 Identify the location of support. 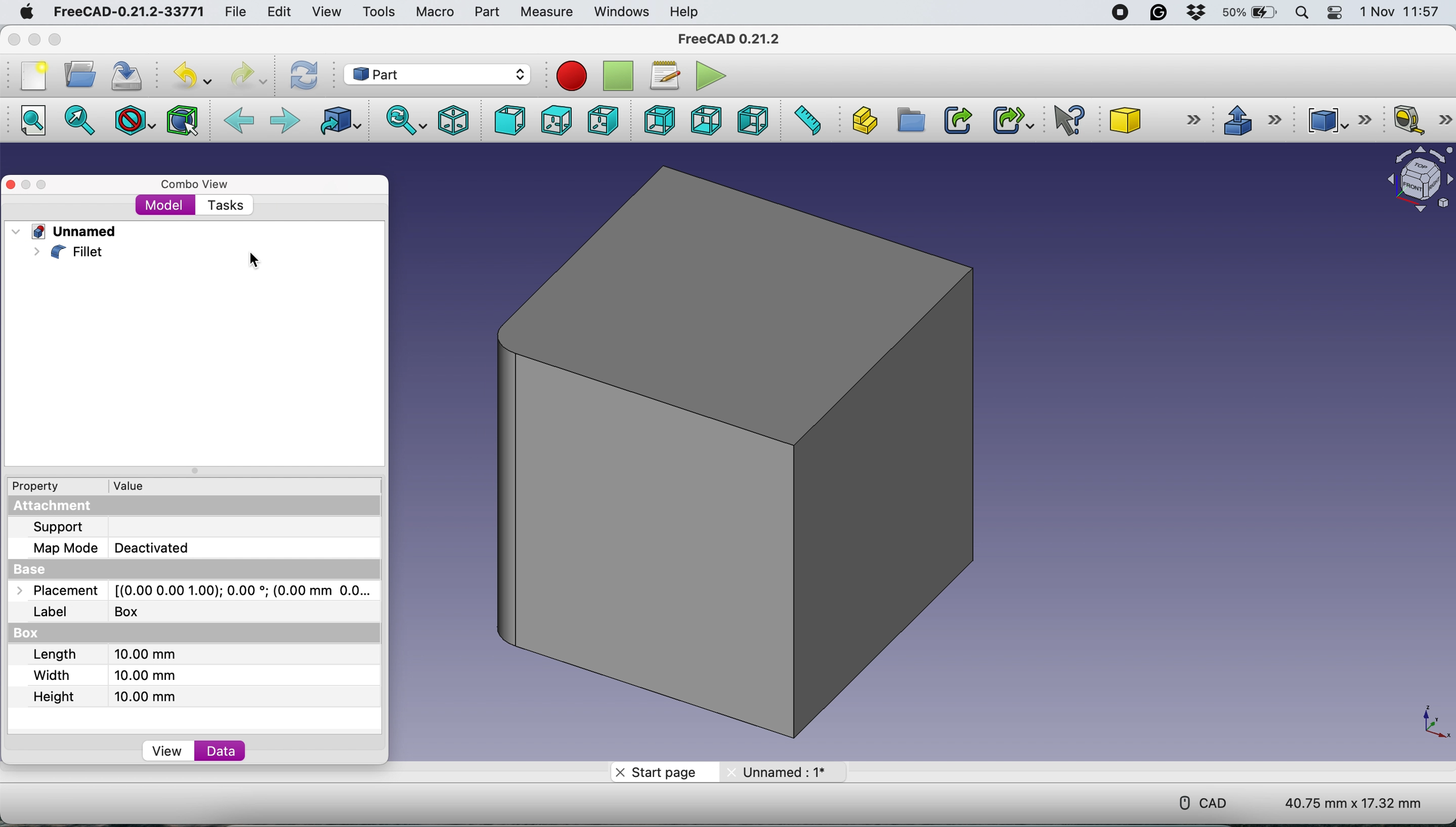
(64, 528).